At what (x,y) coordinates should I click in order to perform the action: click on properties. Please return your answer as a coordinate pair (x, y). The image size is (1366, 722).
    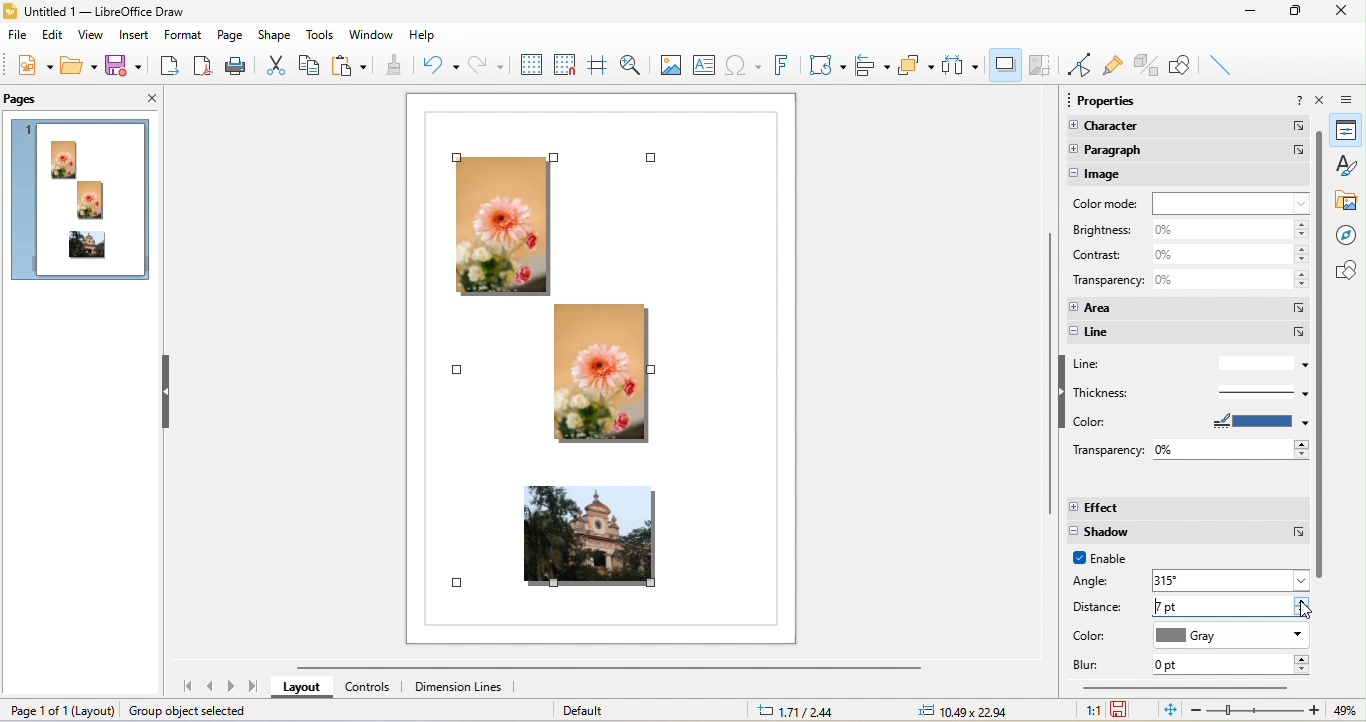
    Looking at the image, I should click on (1112, 100).